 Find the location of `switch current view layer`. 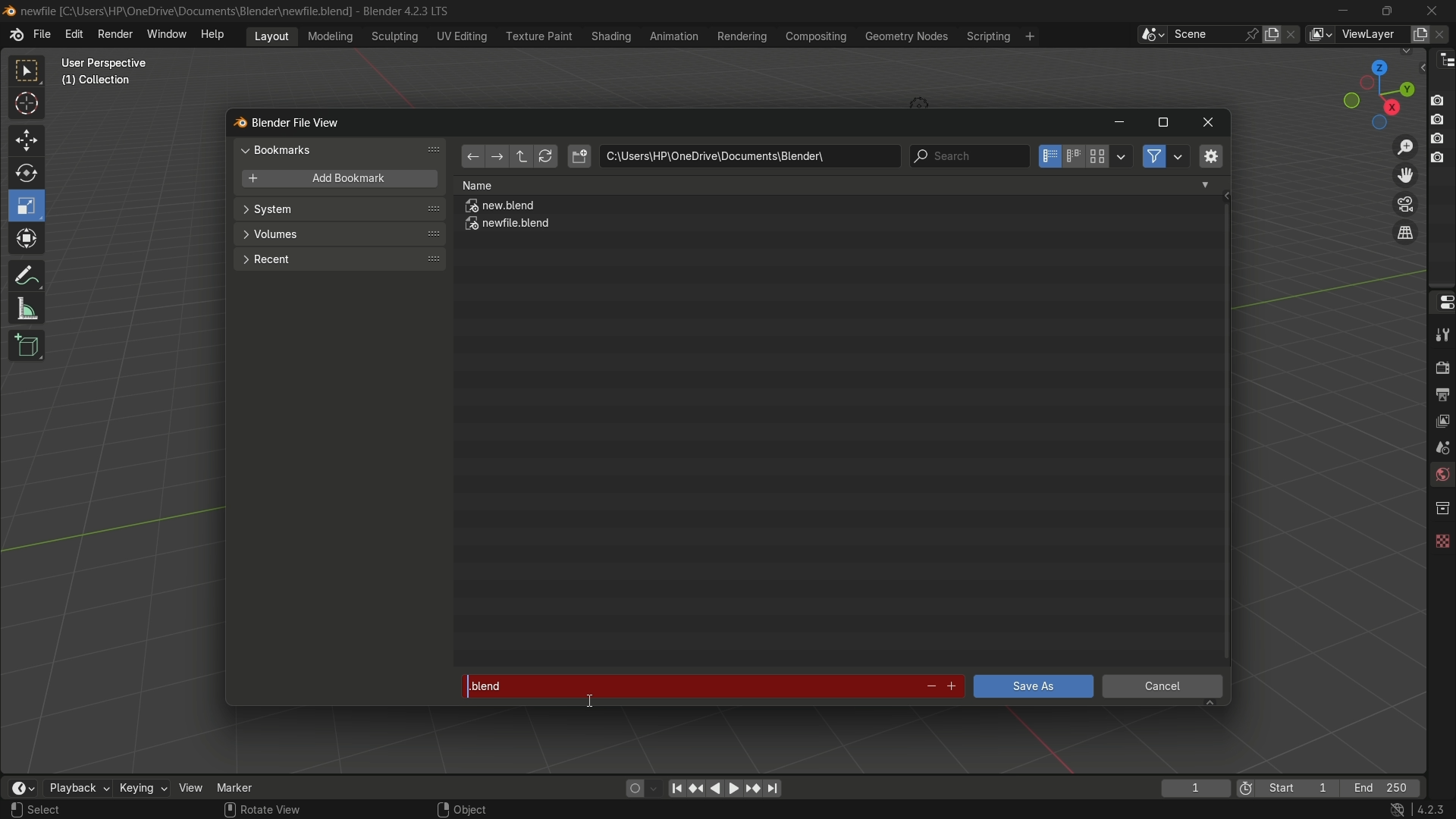

switch current view layer is located at coordinates (1405, 234).